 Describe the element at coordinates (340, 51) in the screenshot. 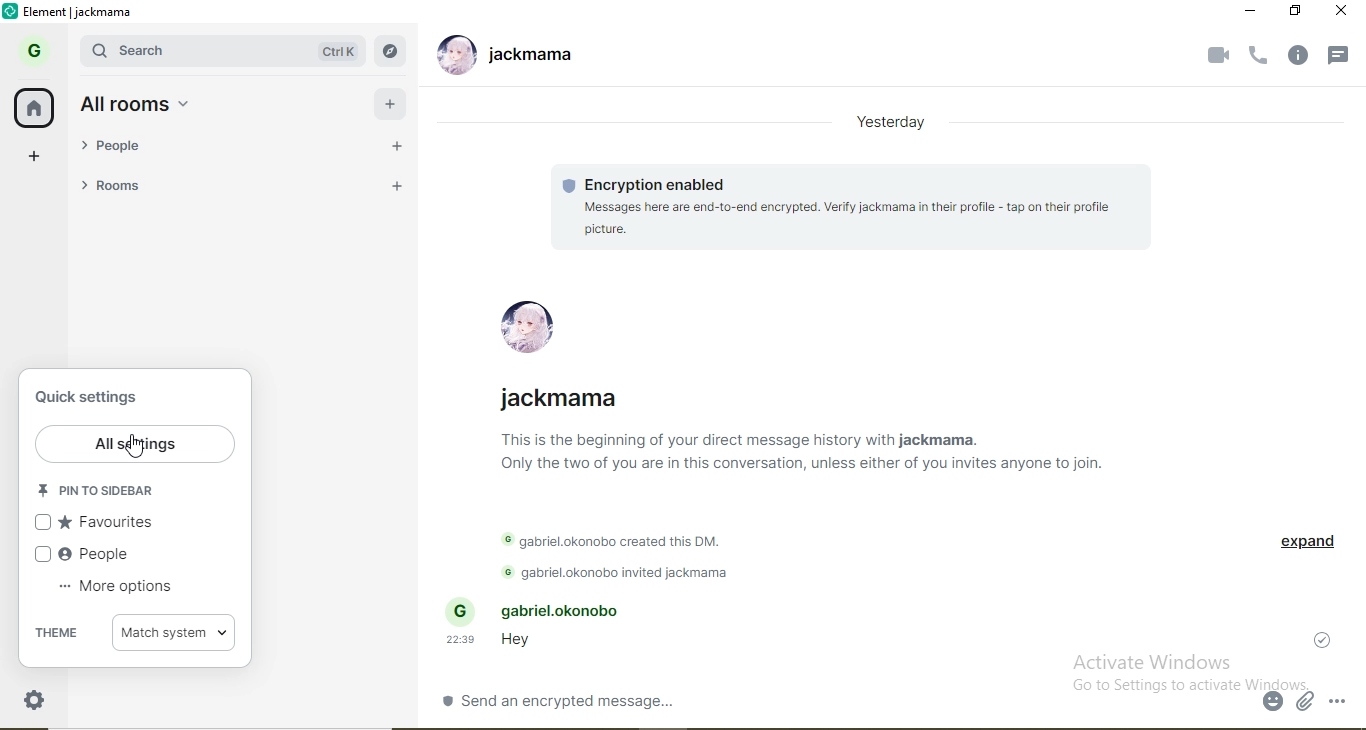

I see `ctrl+k` at that location.